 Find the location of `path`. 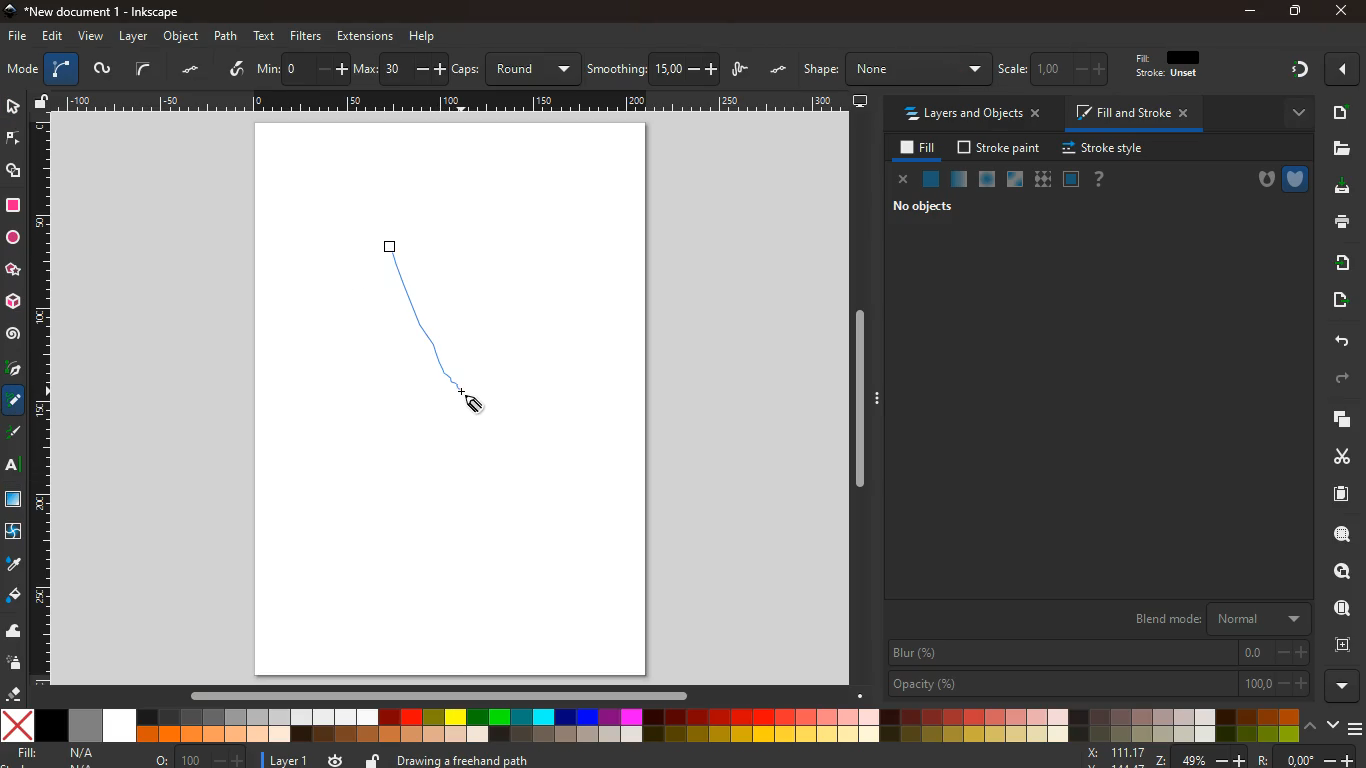

path is located at coordinates (225, 36).